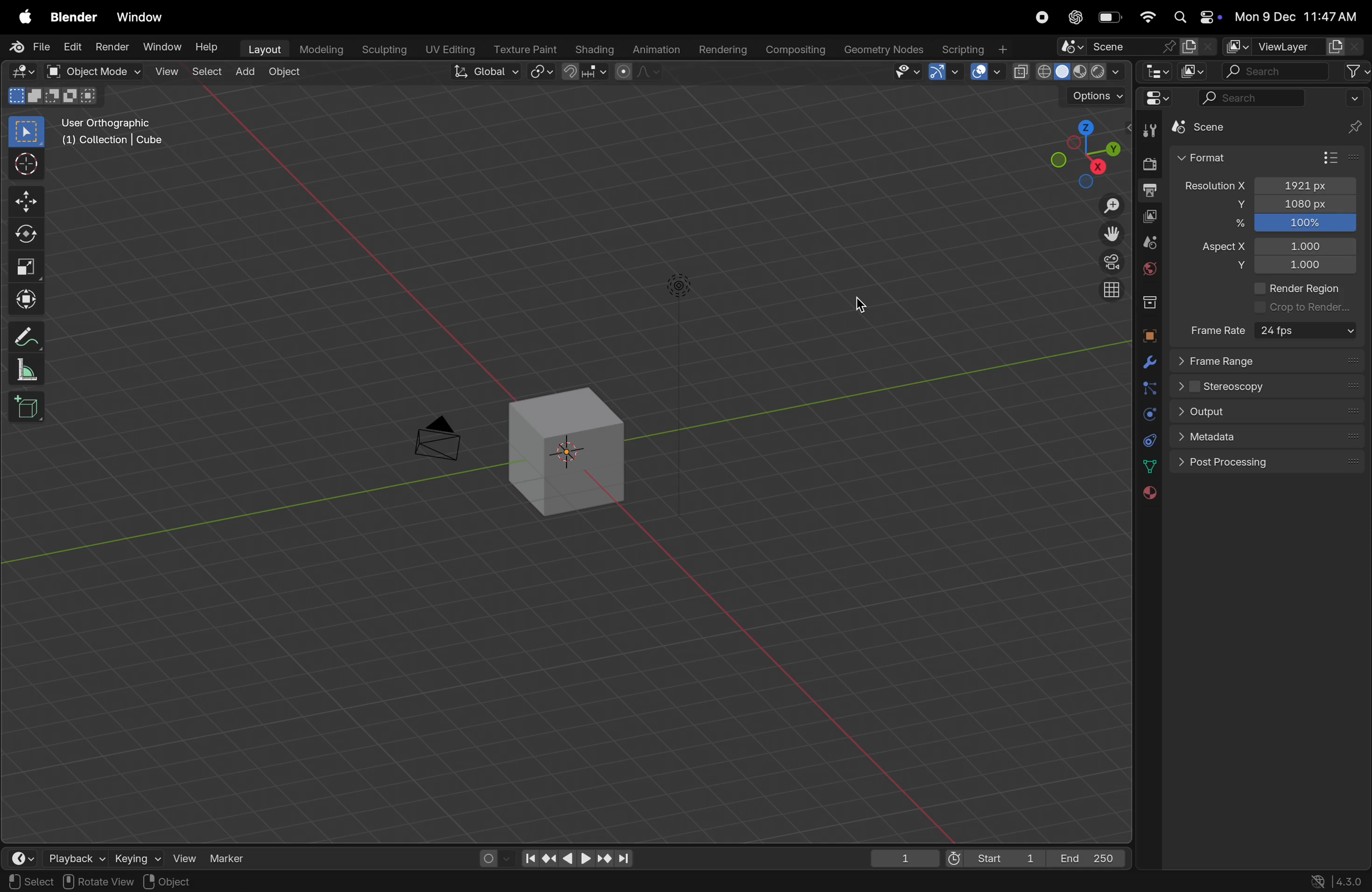 The image size is (1372, 892). What do you see at coordinates (492, 856) in the screenshot?
I see `auto keying` at bounding box center [492, 856].